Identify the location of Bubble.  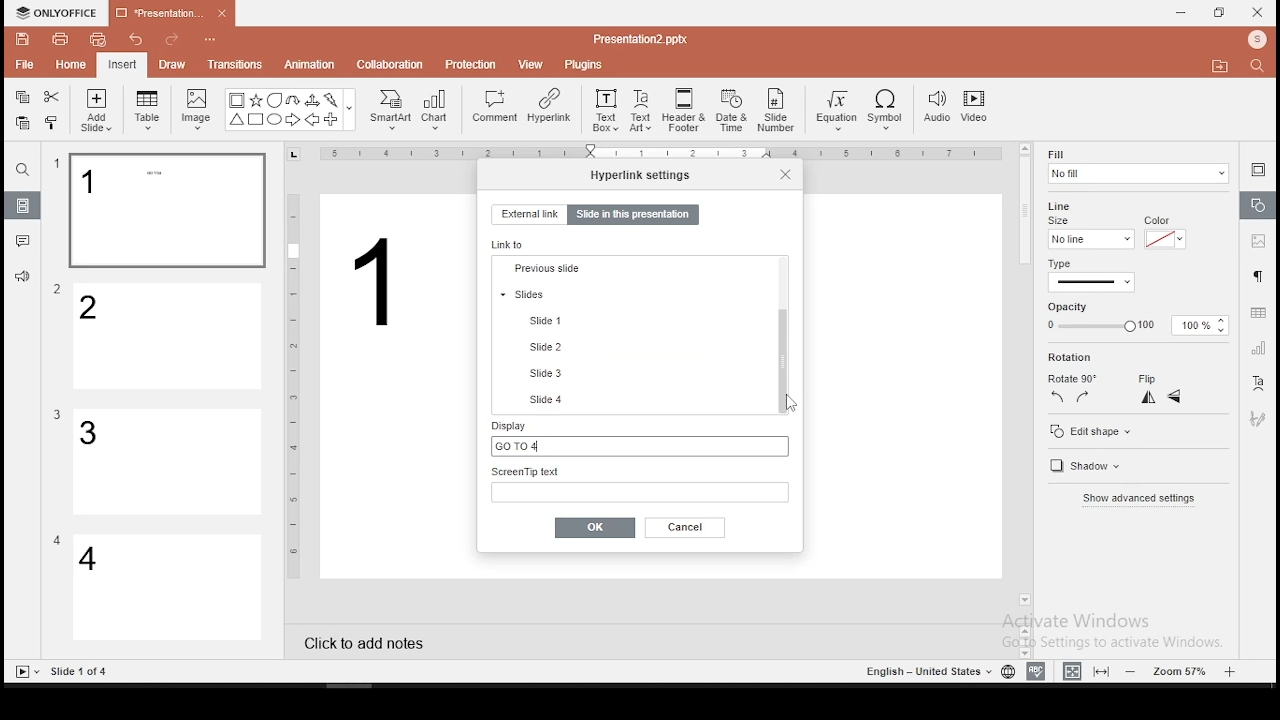
(274, 100).